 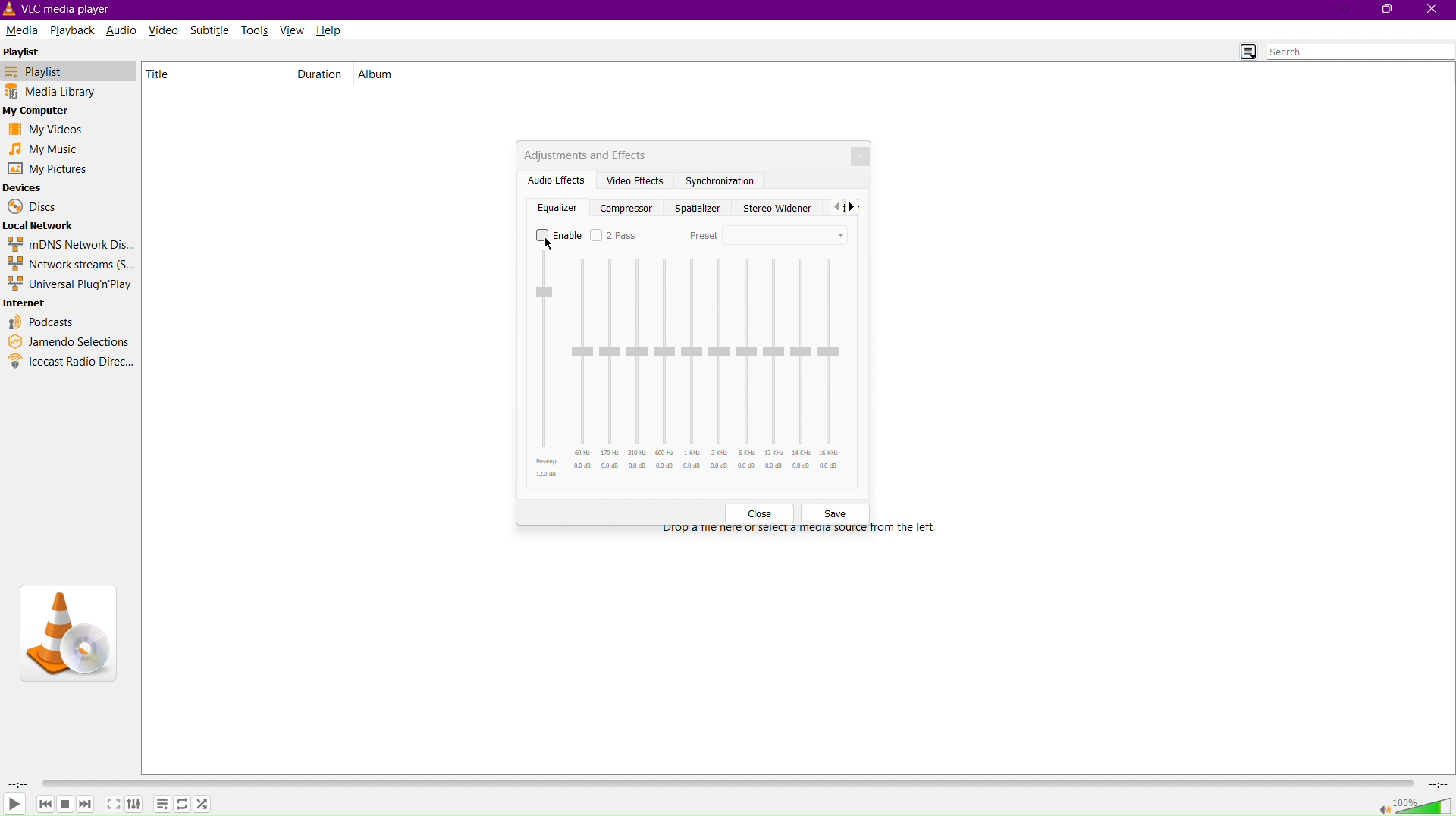 I want to click on Video, so click(x=165, y=29).